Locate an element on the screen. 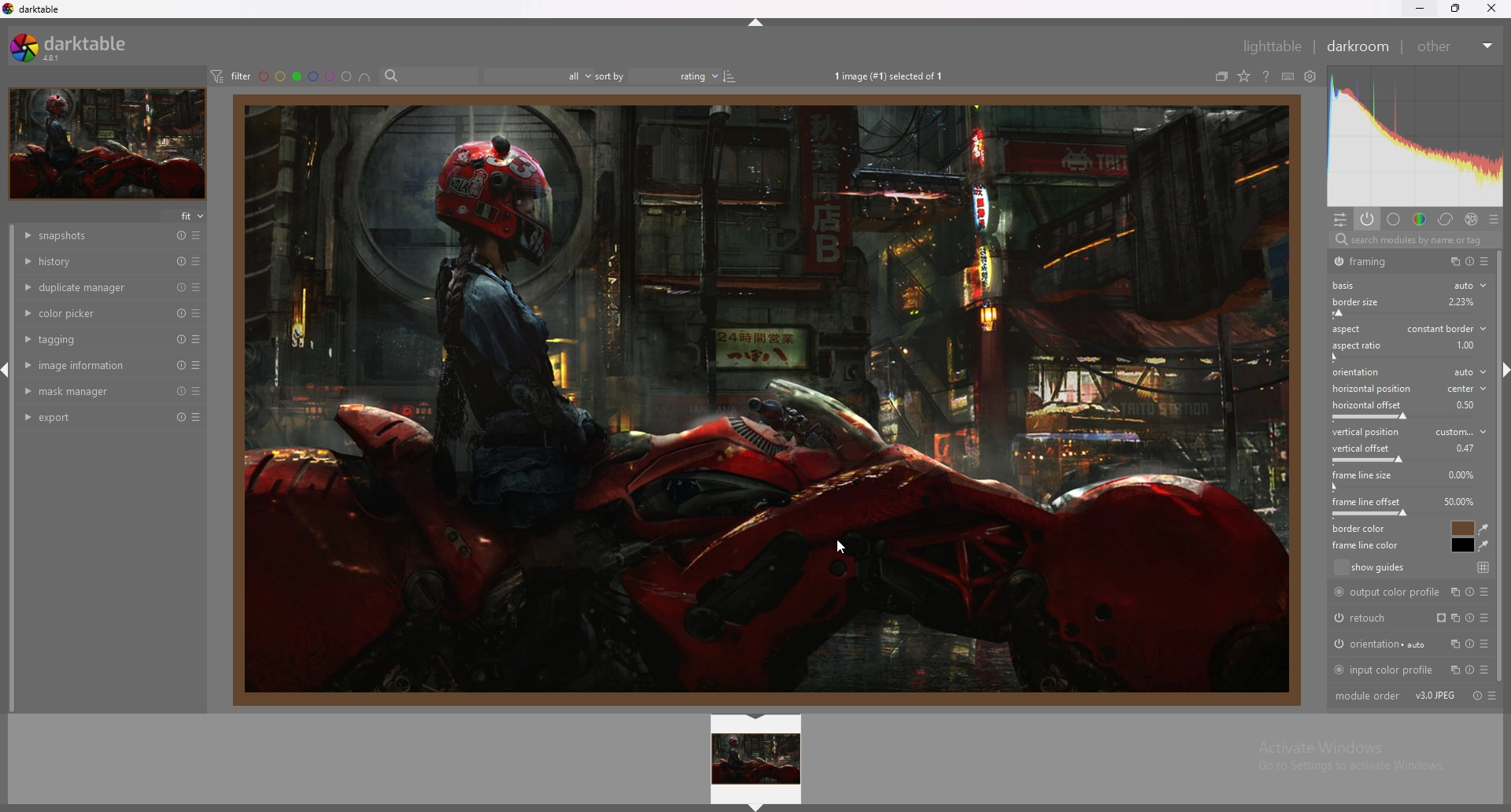 The image size is (1511, 812). waterdrop is located at coordinates (1484, 546).